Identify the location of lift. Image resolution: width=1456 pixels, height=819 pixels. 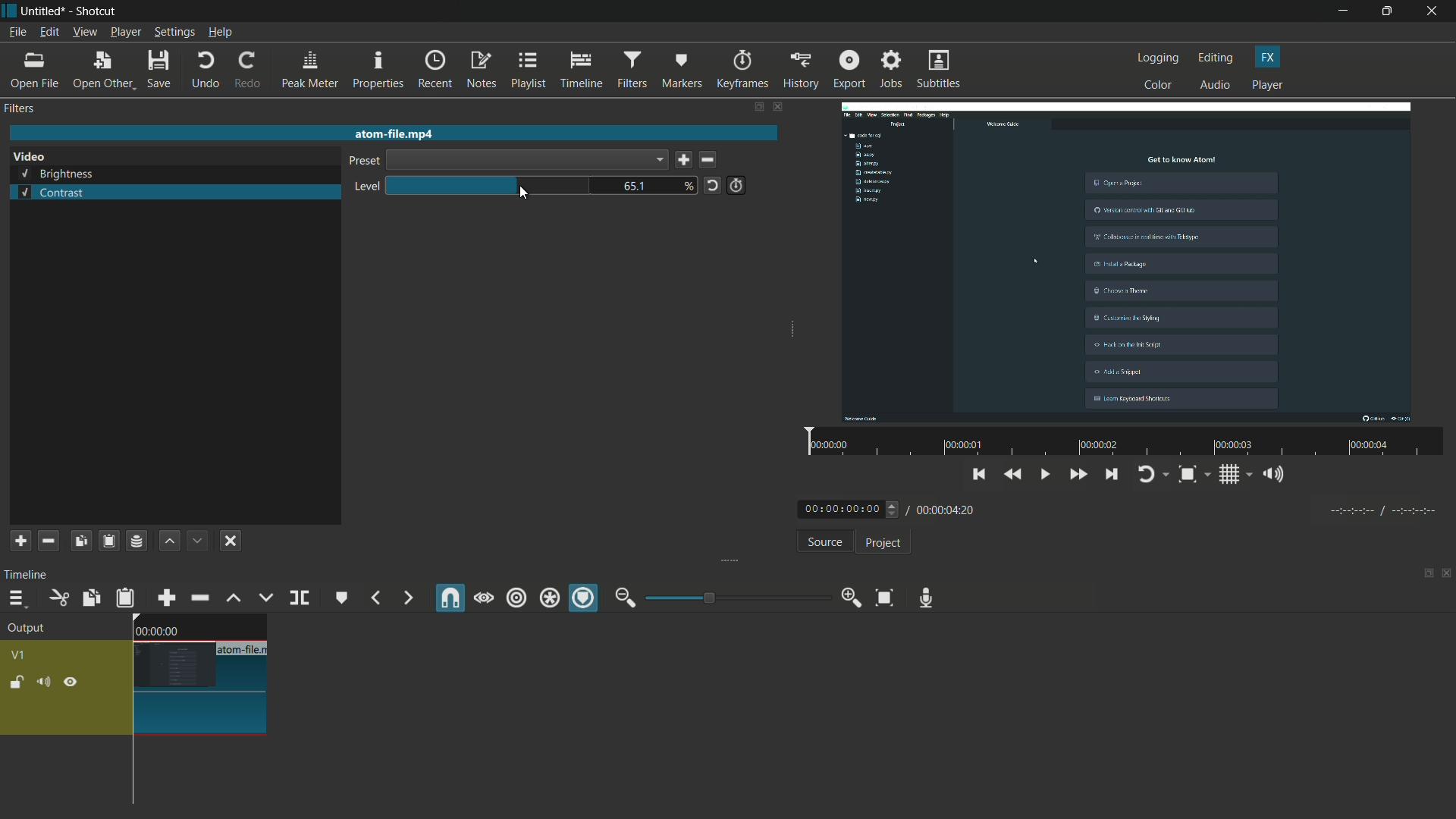
(233, 598).